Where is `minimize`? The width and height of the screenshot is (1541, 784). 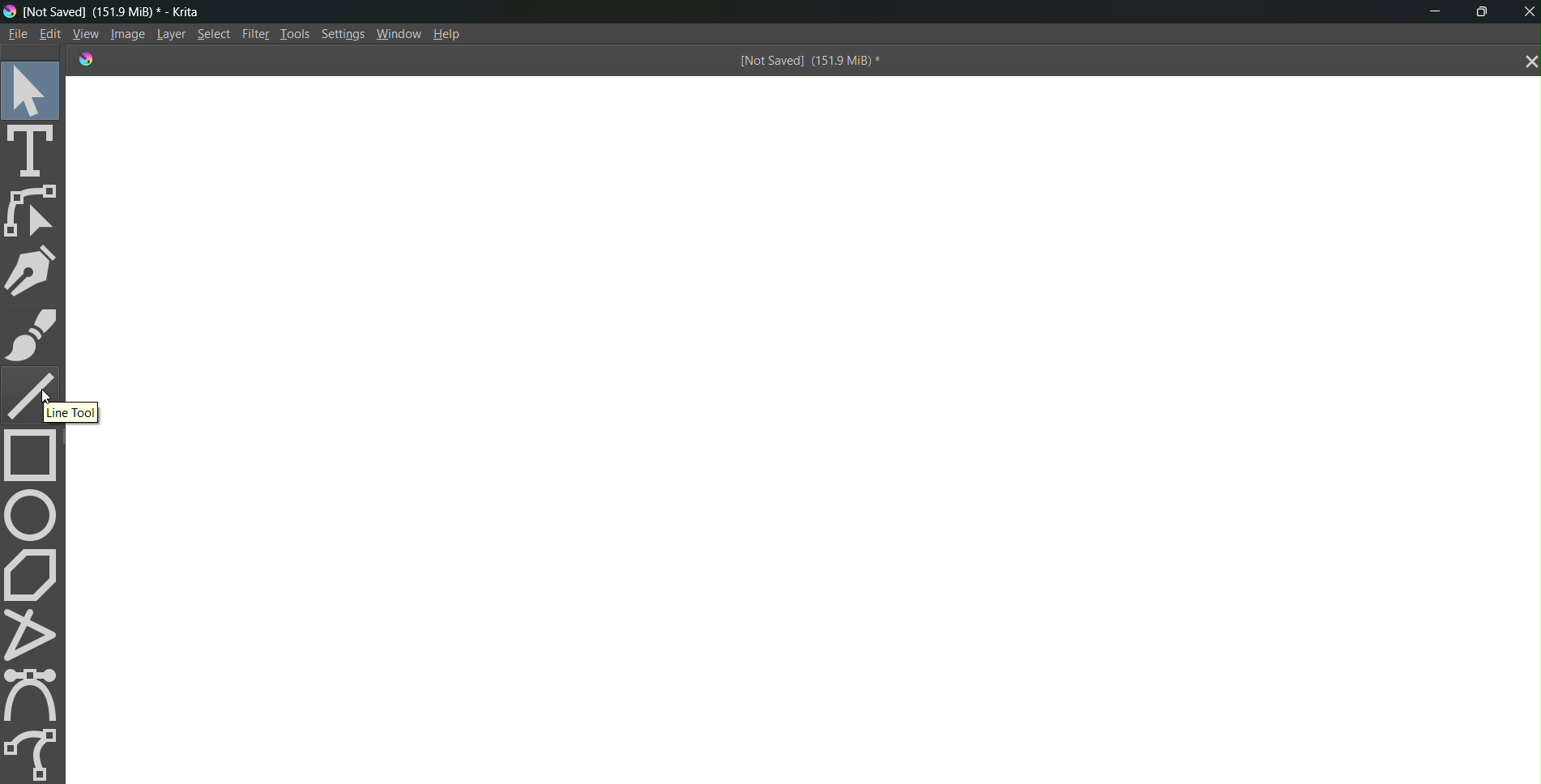
minimize is located at coordinates (1429, 13).